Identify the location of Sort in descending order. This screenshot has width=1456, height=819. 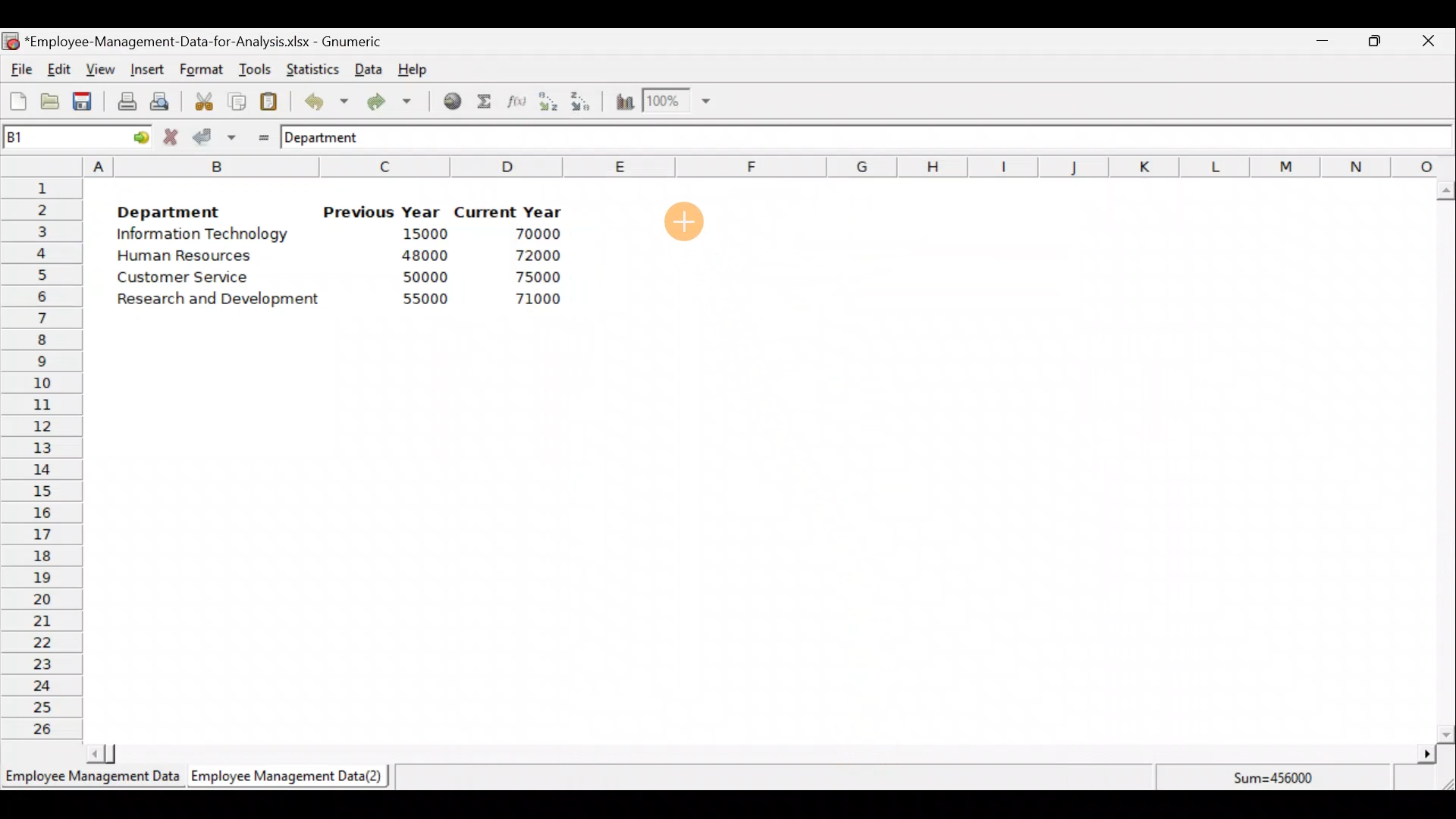
(582, 102).